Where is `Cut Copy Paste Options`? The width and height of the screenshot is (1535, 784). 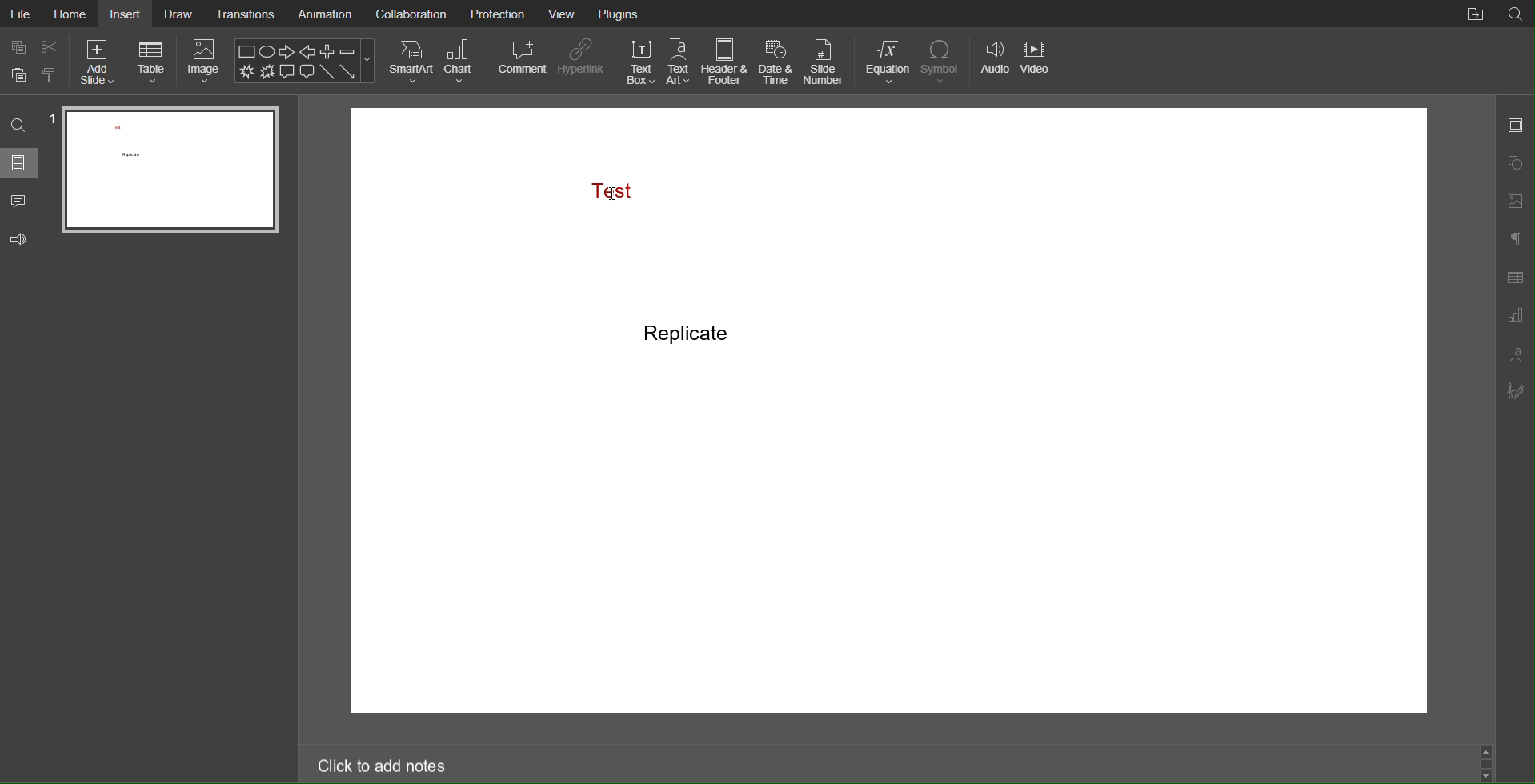
Cut Copy Paste Options is located at coordinates (35, 62).